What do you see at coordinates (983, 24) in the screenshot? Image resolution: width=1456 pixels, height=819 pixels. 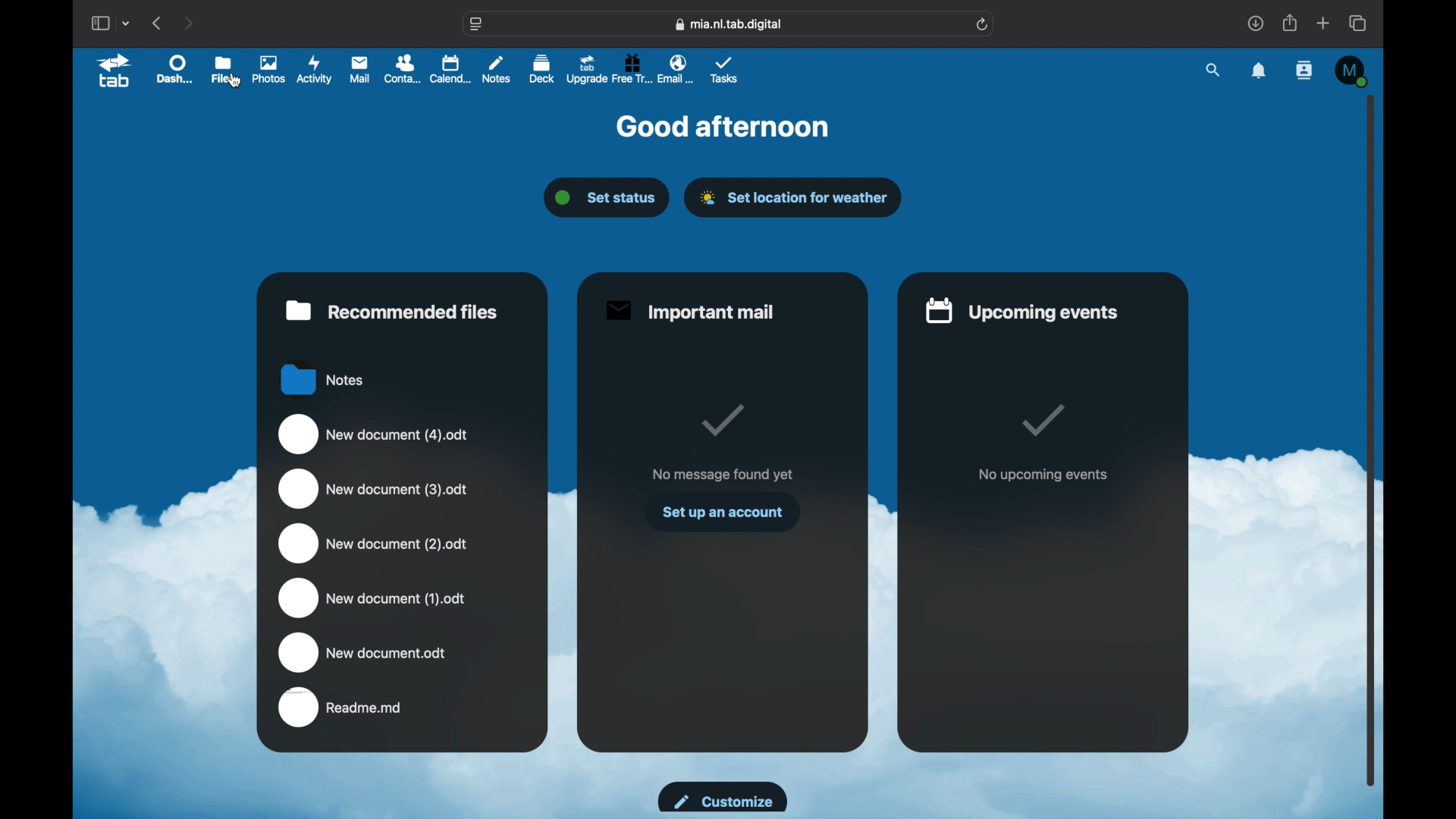 I see `refresh` at bounding box center [983, 24].